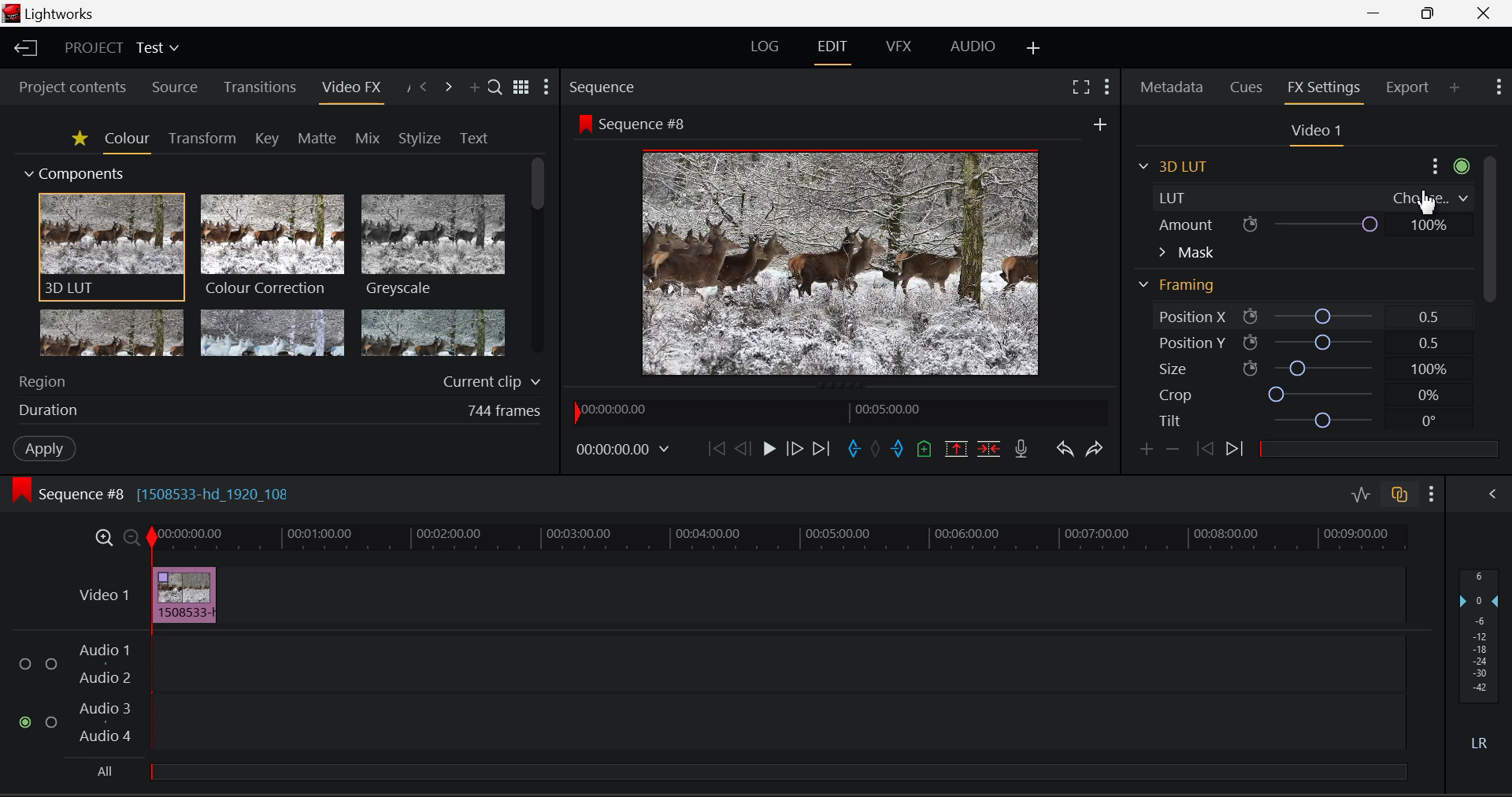 The height and width of the screenshot is (797, 1512). What do you see at coordinates (1235, 449) in the screenshot?
I see `Next keyframe` at bounding box center [1235, 449].